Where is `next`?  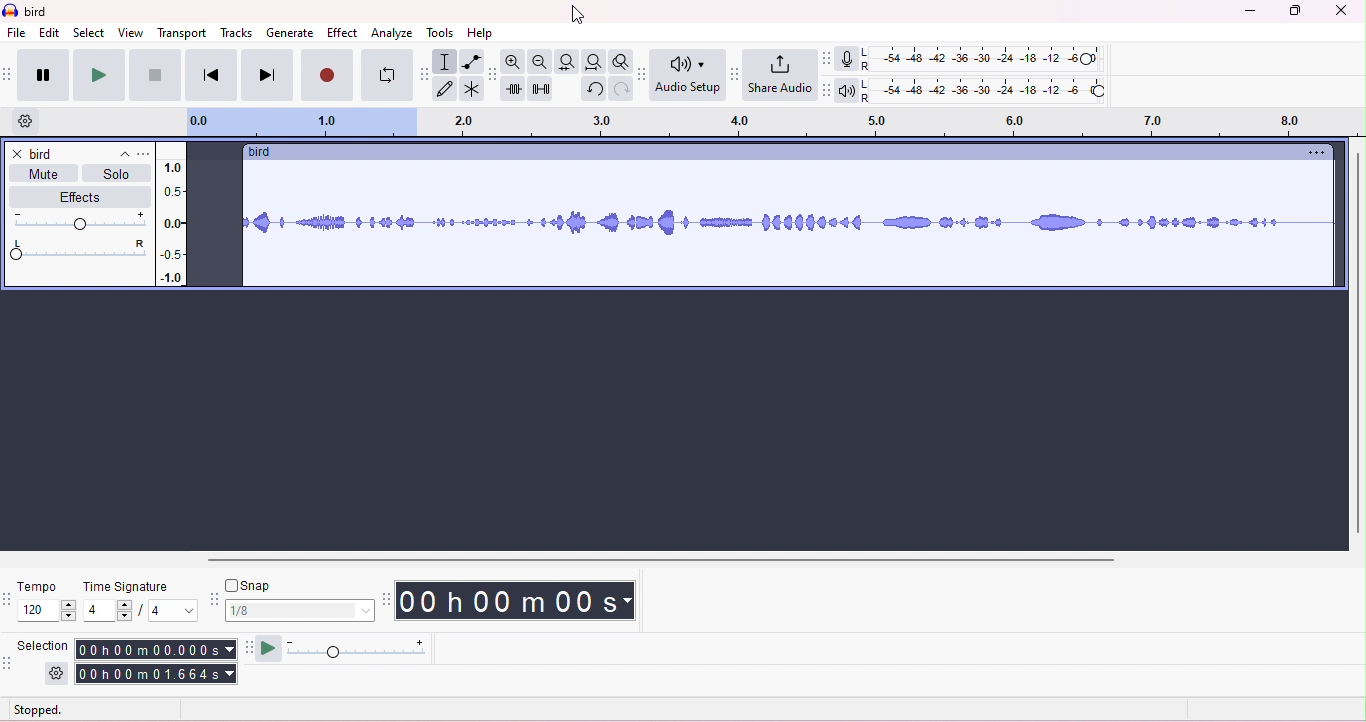
next is located at coordinates (265, 76).